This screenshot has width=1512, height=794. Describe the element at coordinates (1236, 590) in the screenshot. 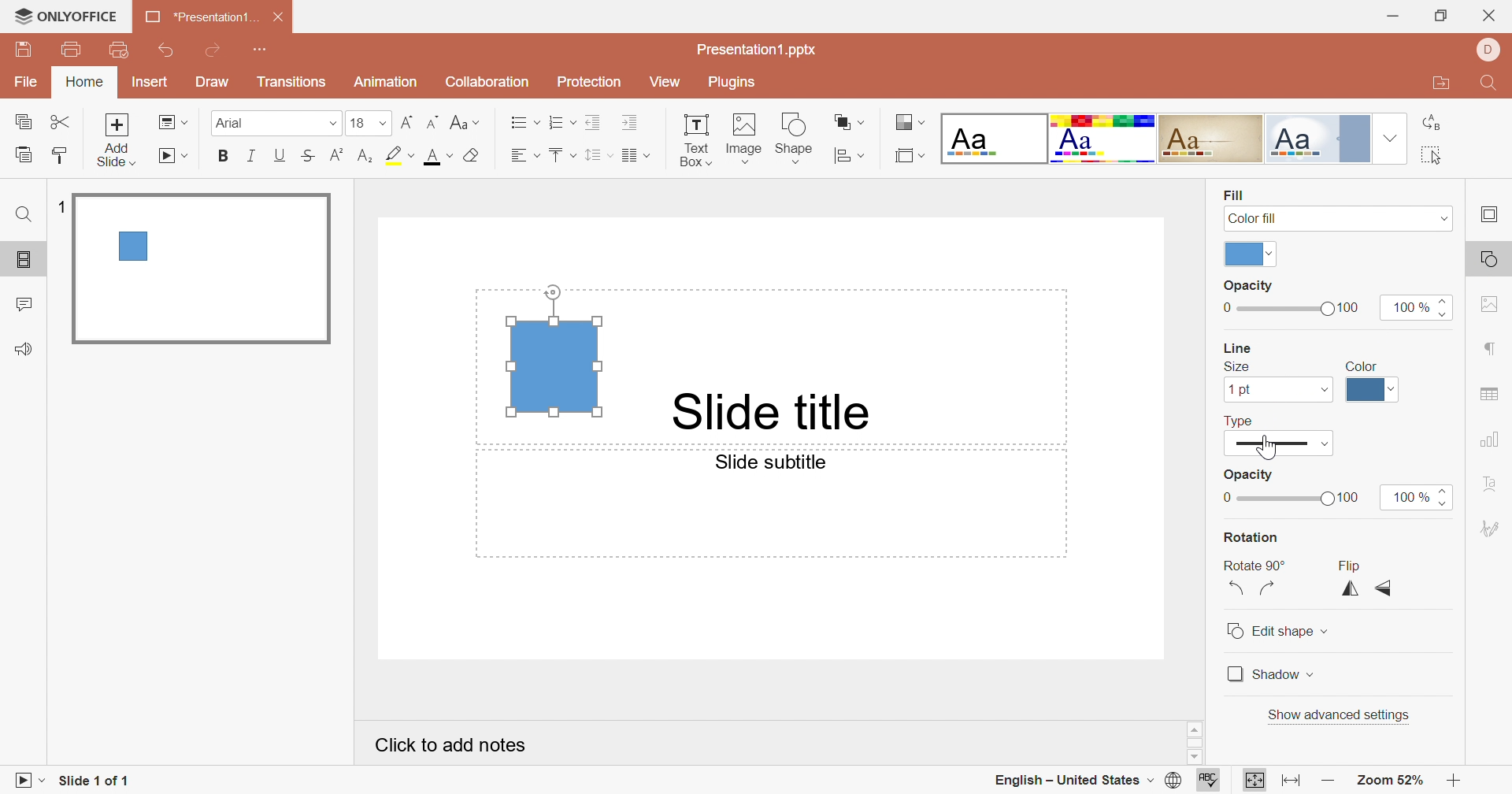

I see `Rotate 90° anticlockwise` at that location.